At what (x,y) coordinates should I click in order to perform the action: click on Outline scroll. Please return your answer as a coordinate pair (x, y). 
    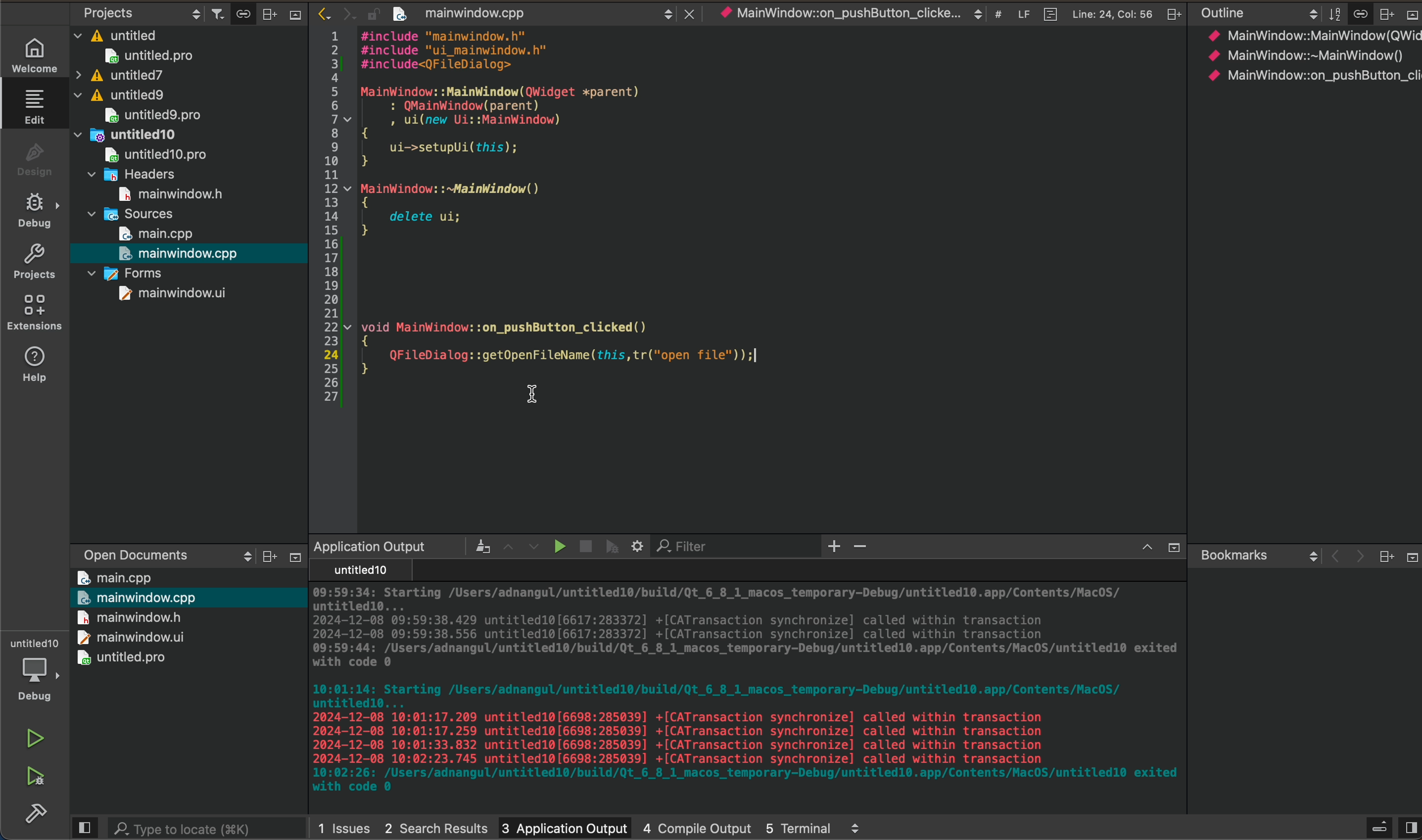
    Looking at the image, I should click on (1257, 14).